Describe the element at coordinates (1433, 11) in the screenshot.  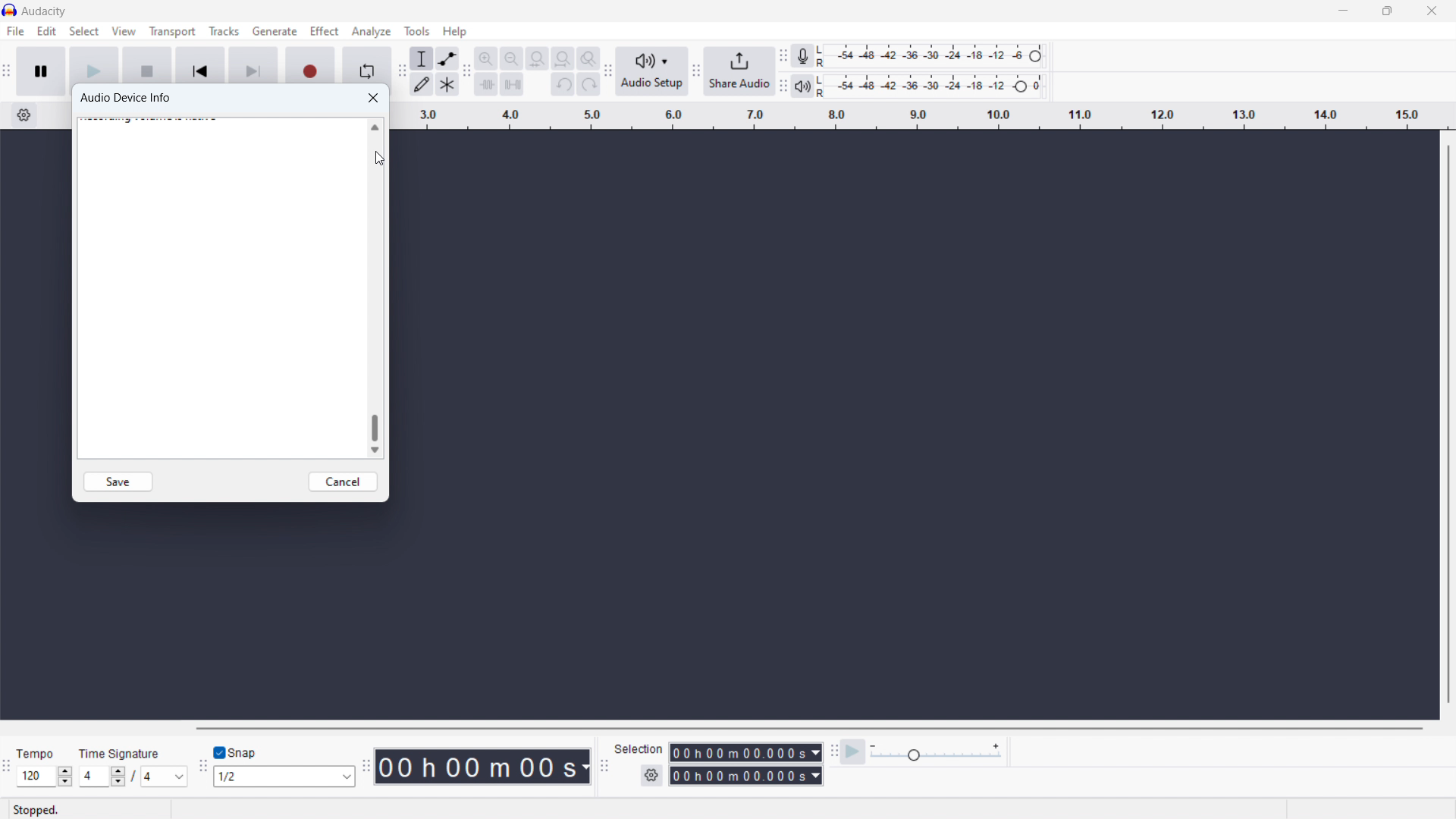
I see `close` at that location.